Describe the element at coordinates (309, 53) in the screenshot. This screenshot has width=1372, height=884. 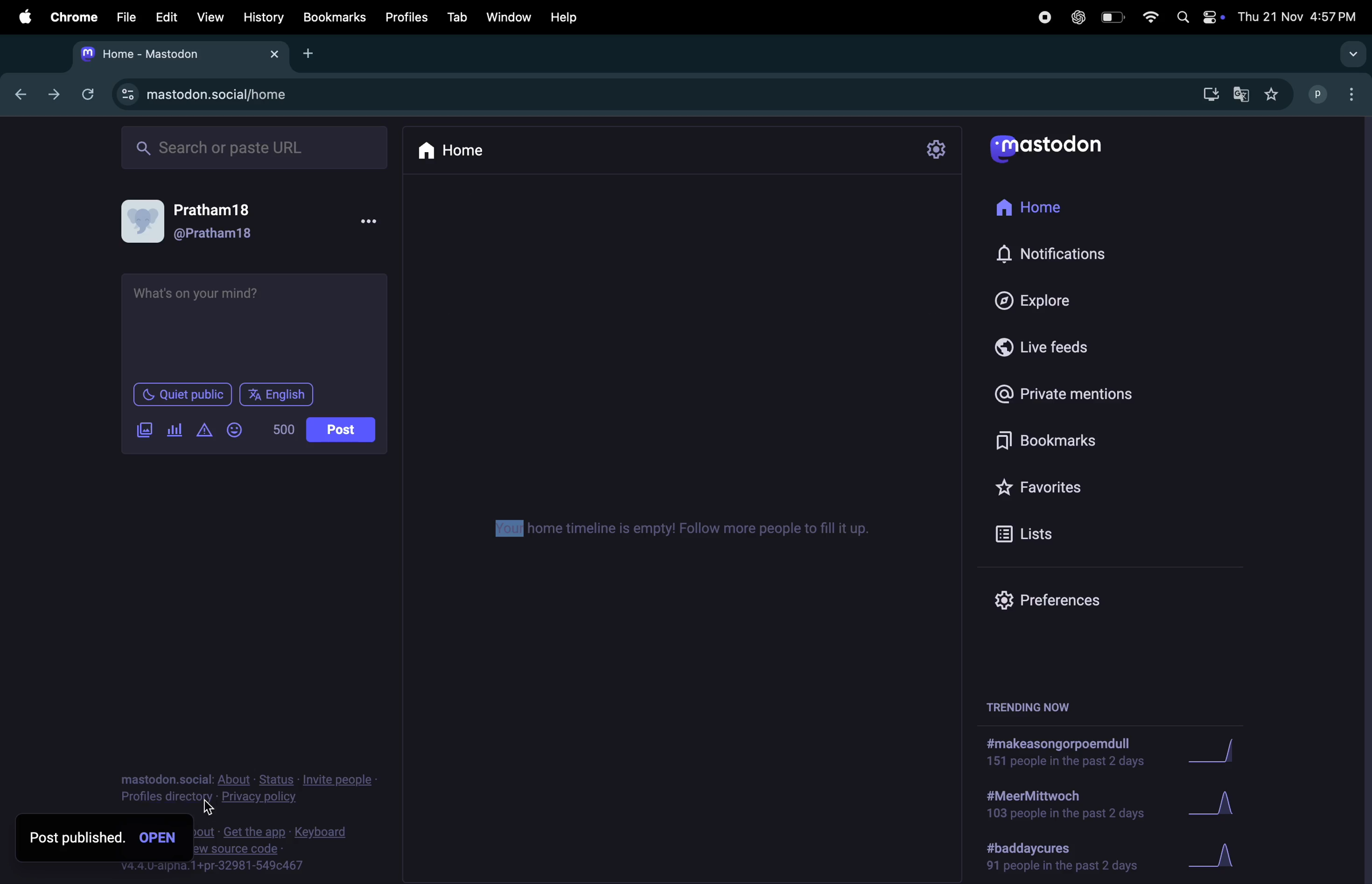
I see `Add new tab` at that location.